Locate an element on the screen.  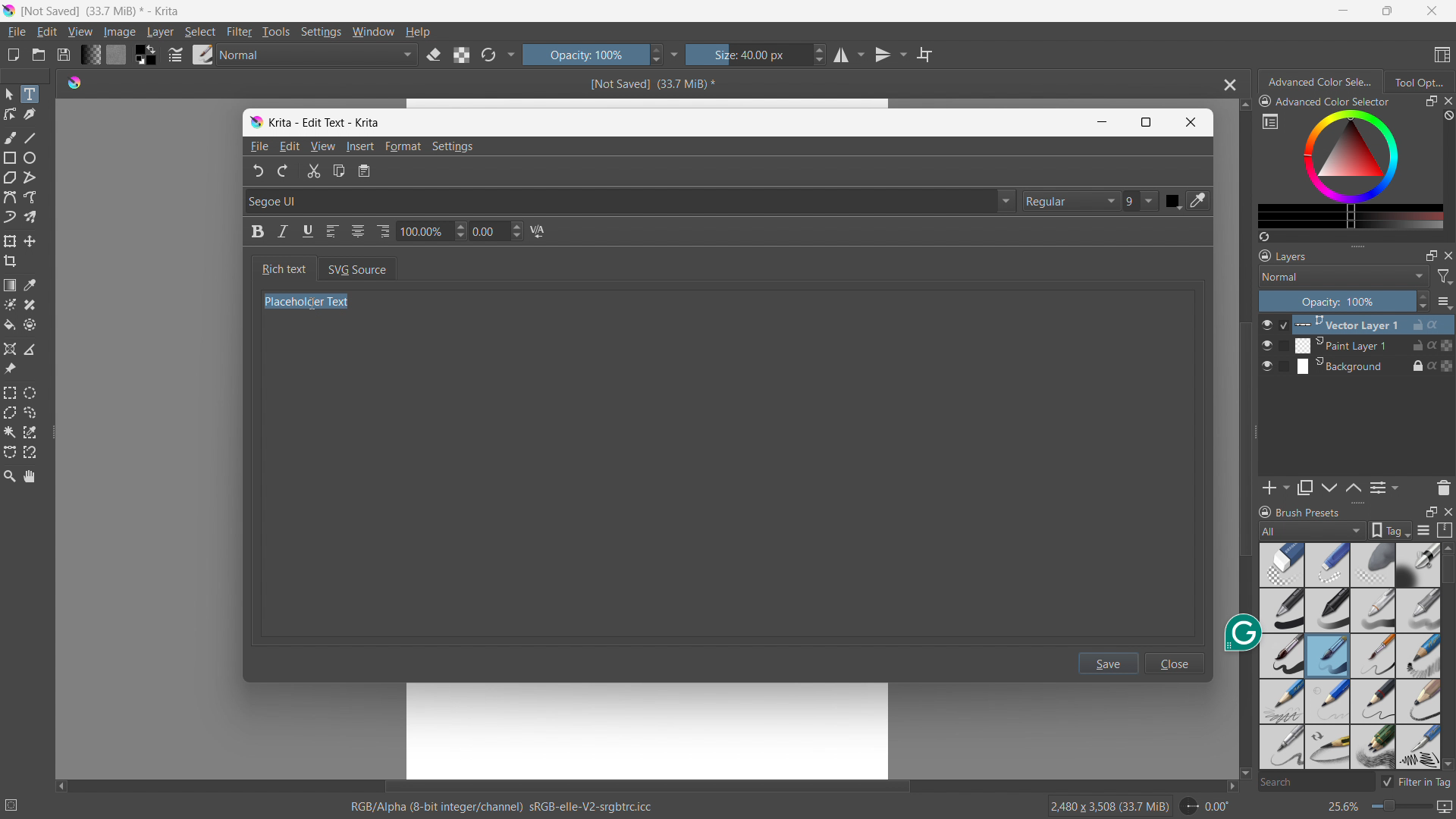
Background is located at coordinates (1365, 366).